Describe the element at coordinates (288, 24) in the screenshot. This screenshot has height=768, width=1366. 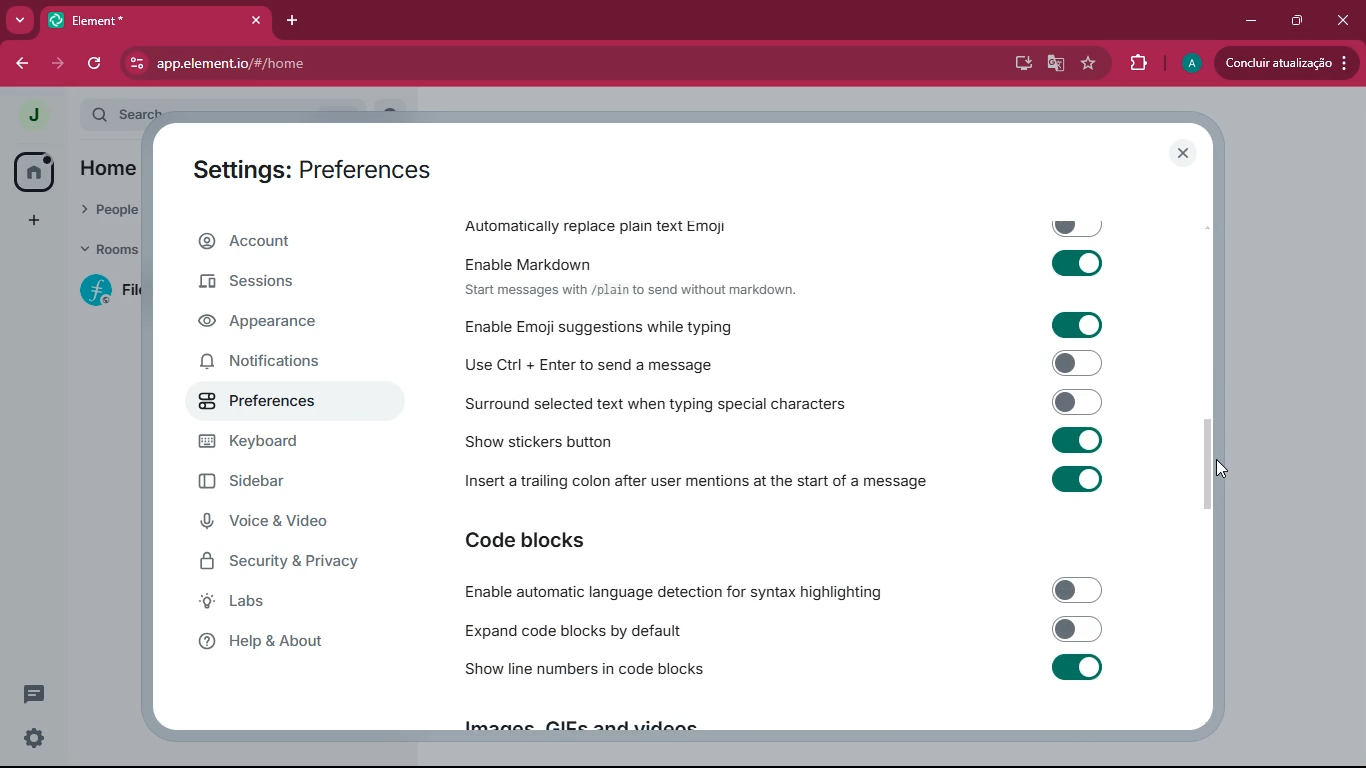
I see `add tab` at that location.